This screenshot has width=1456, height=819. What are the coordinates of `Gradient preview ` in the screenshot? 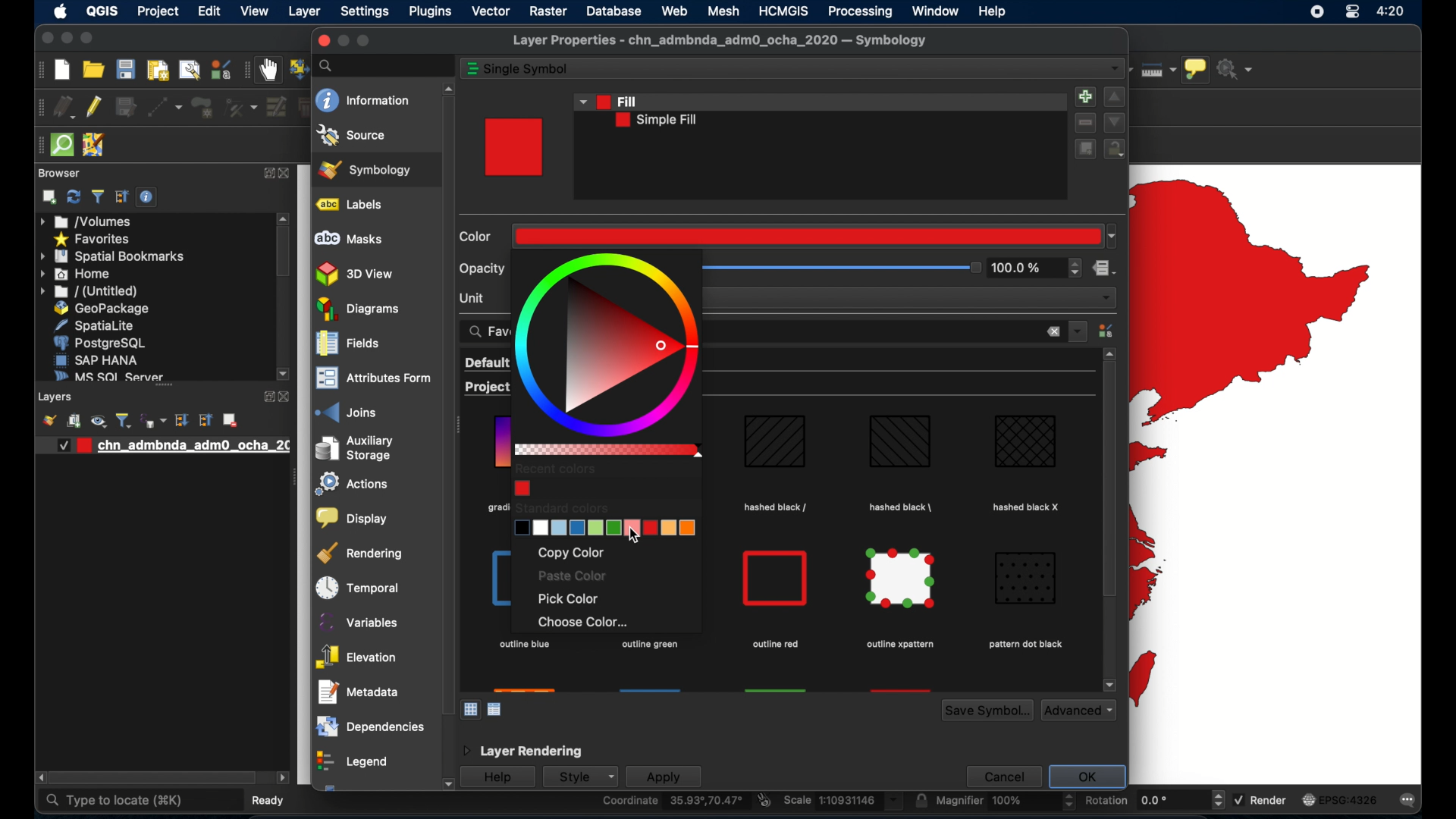 It's located at (1026, 441).